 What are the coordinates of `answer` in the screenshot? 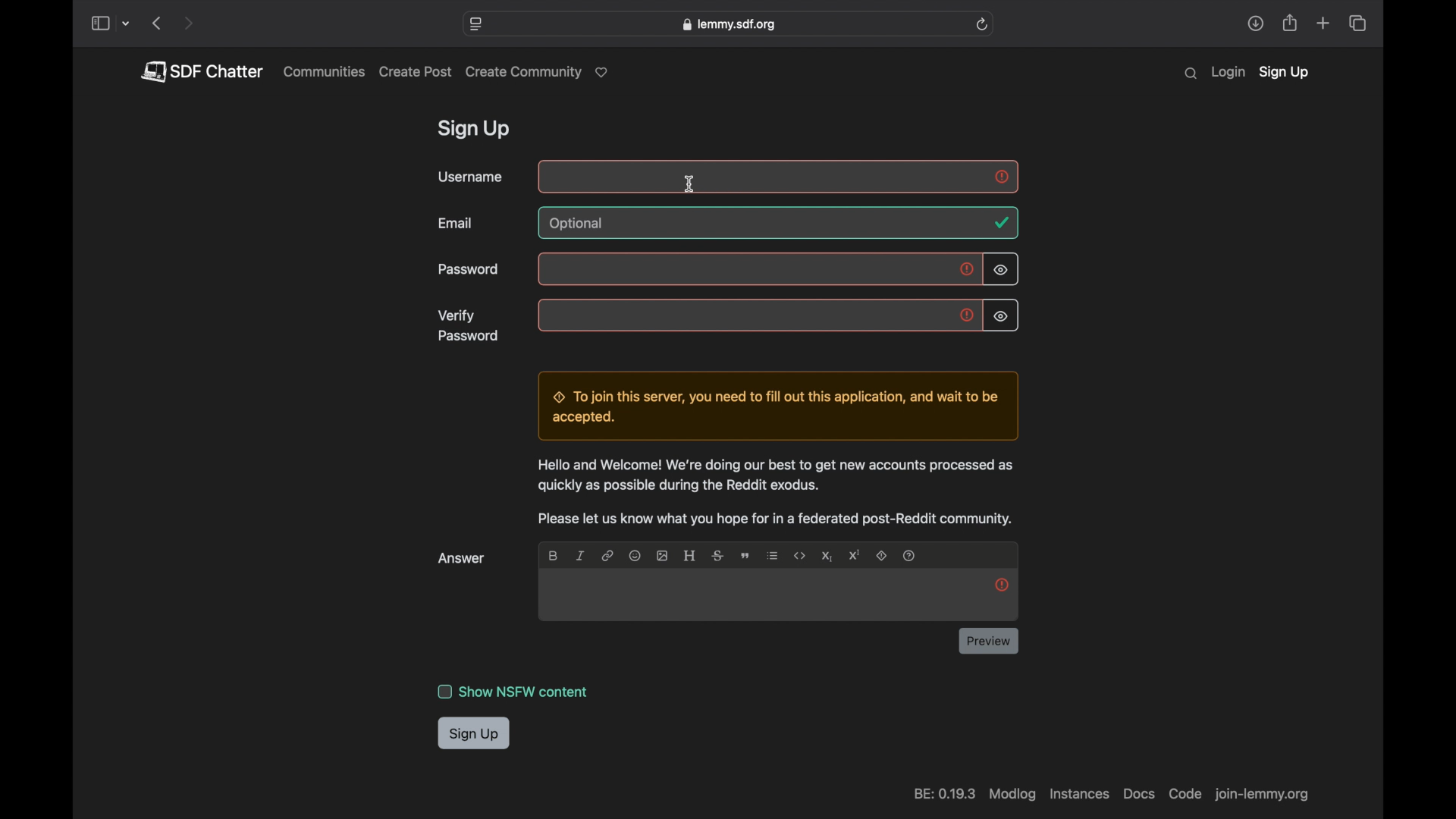 It's located at (463, 558).